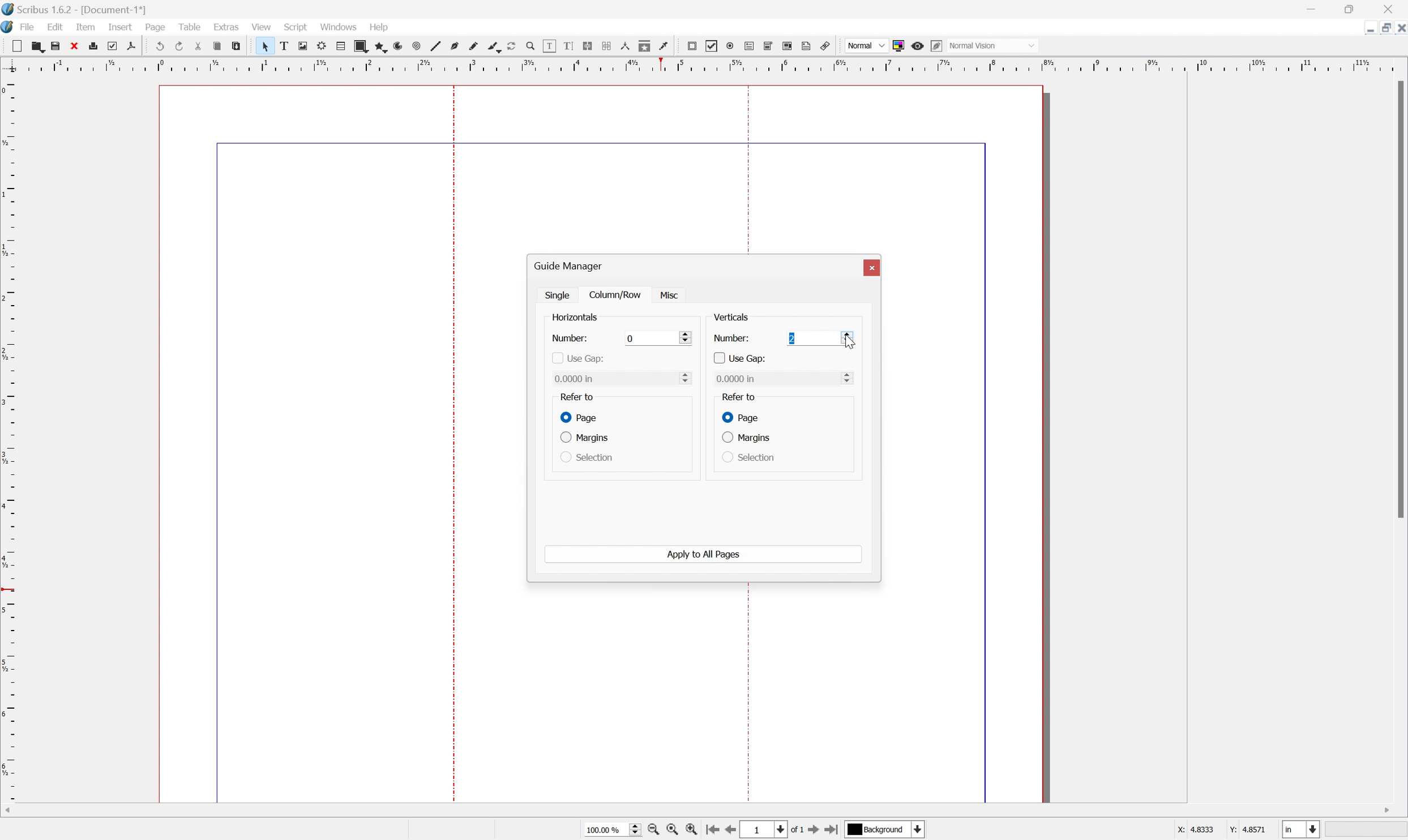 The height and width of the screenshot is (840, 1408). I want to click on scribus icon, so click(9, 28).